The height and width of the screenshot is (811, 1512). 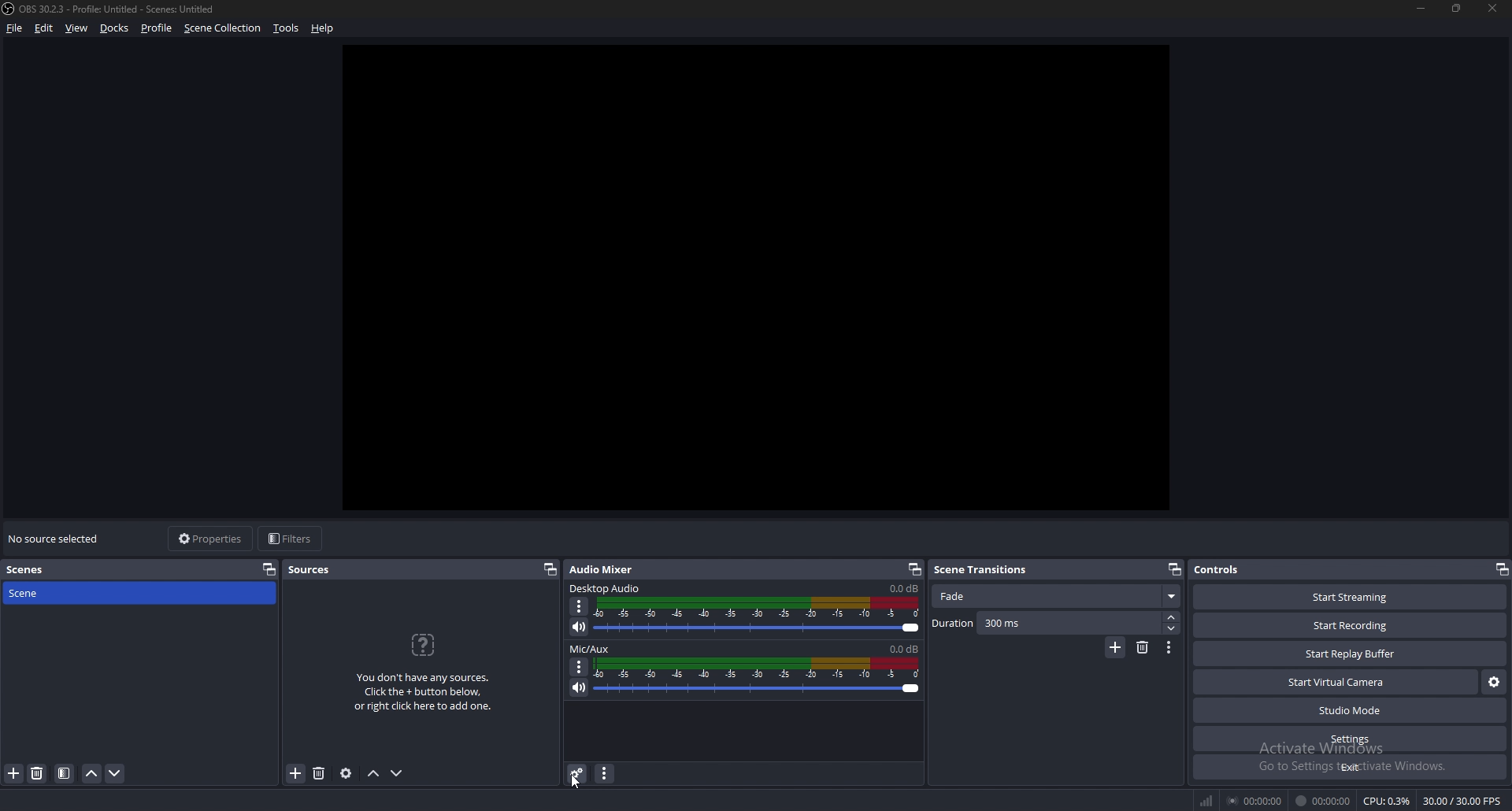 What do you see at coordinates (1169, 649) in the screenshot?
I see `transition properties` at bounding box center [1169, 649].